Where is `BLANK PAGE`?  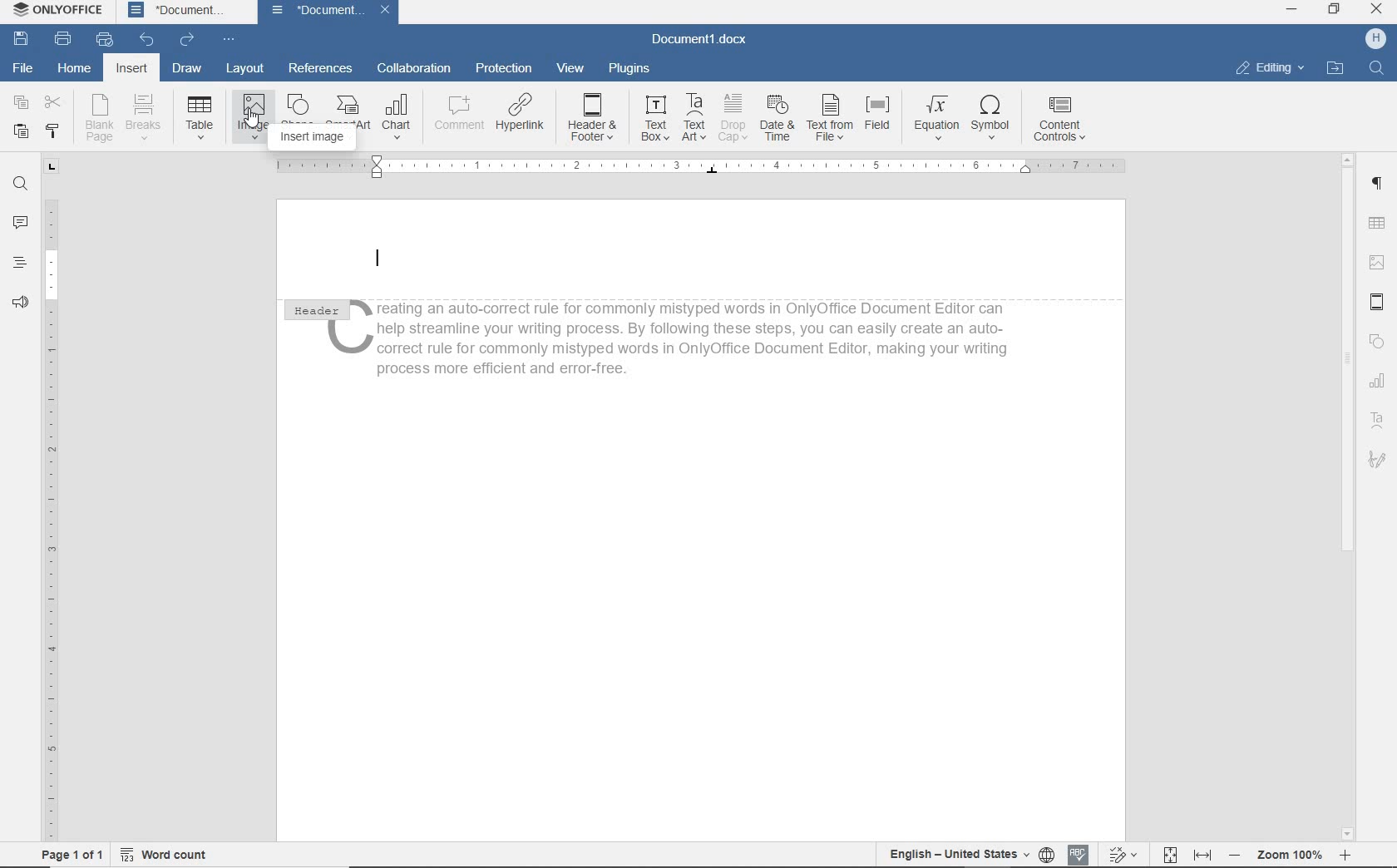 BLANK PAGE is located at coordinates (97, 120).